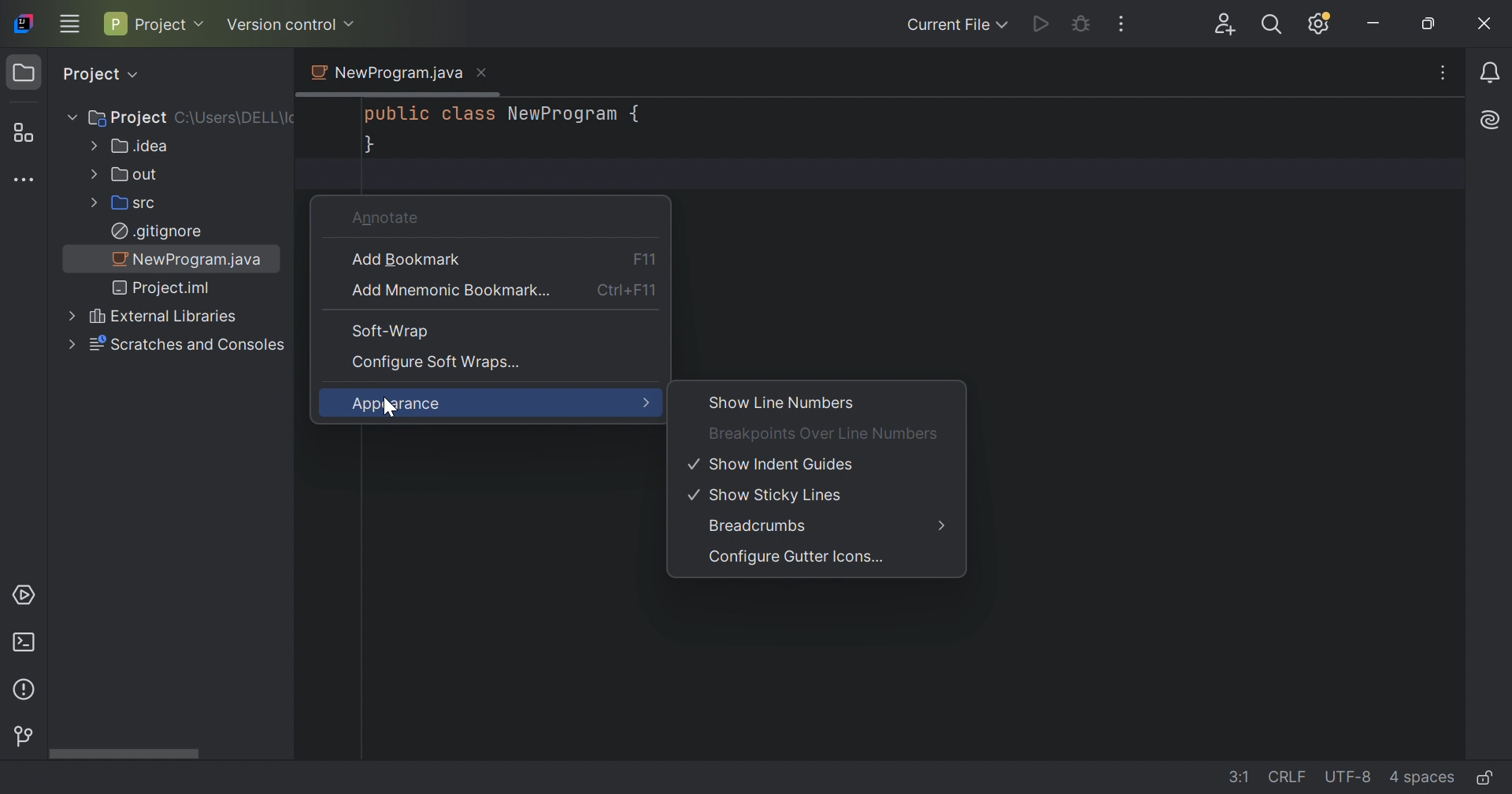  I want to click on External Libraries, so click(164, 317).